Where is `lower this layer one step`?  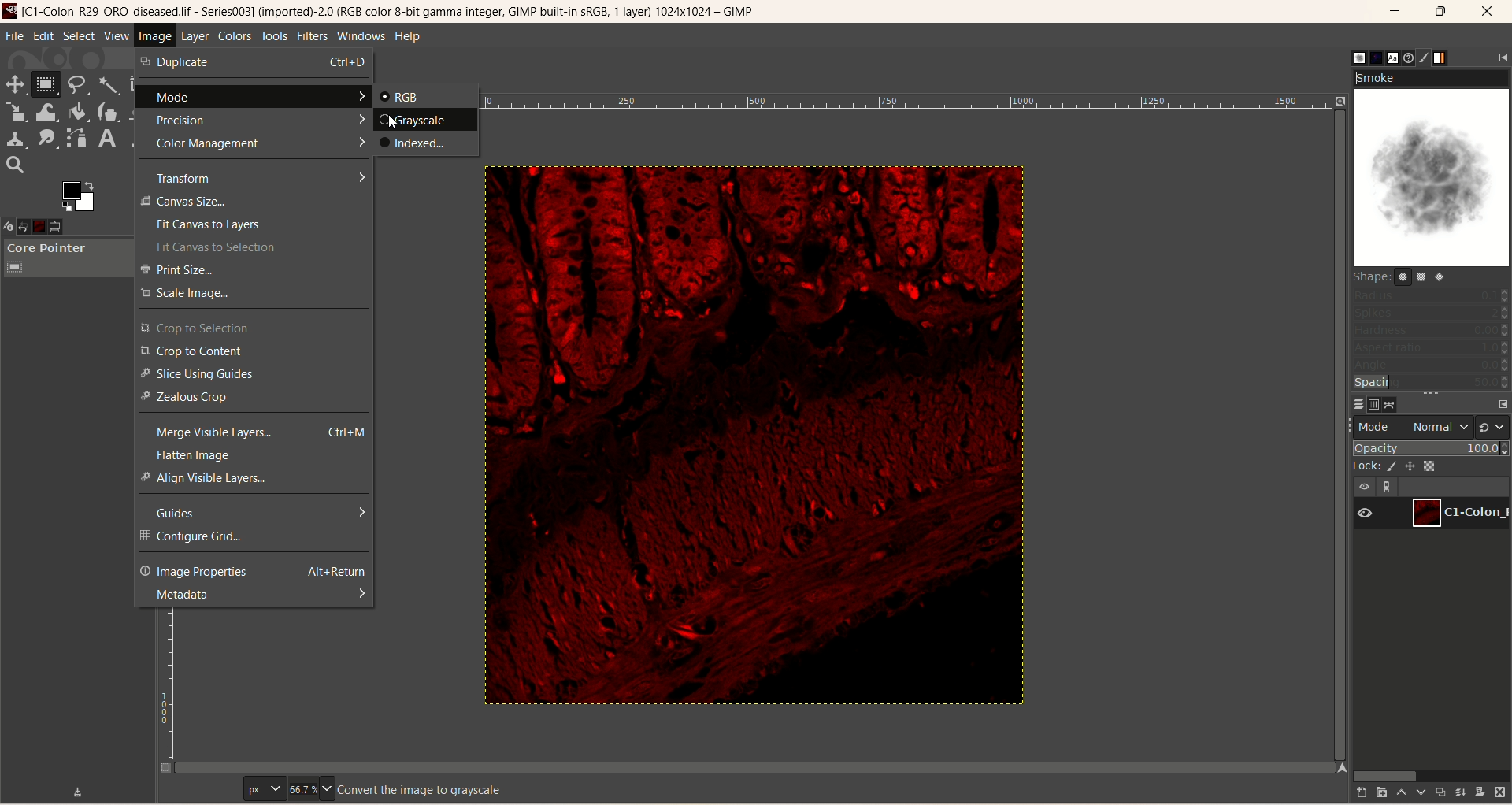 lower this layer one step is located at coordinates (1421, 794).